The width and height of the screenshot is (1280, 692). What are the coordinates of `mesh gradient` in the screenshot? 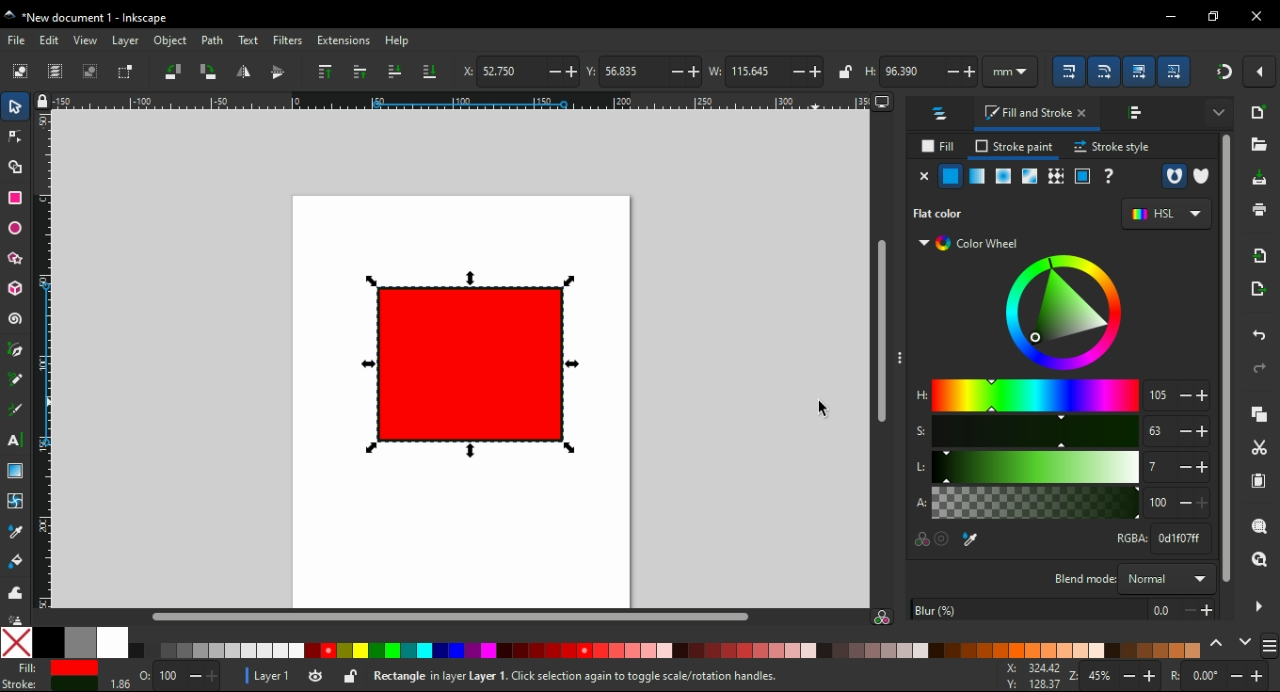 It's located at (977, 177).